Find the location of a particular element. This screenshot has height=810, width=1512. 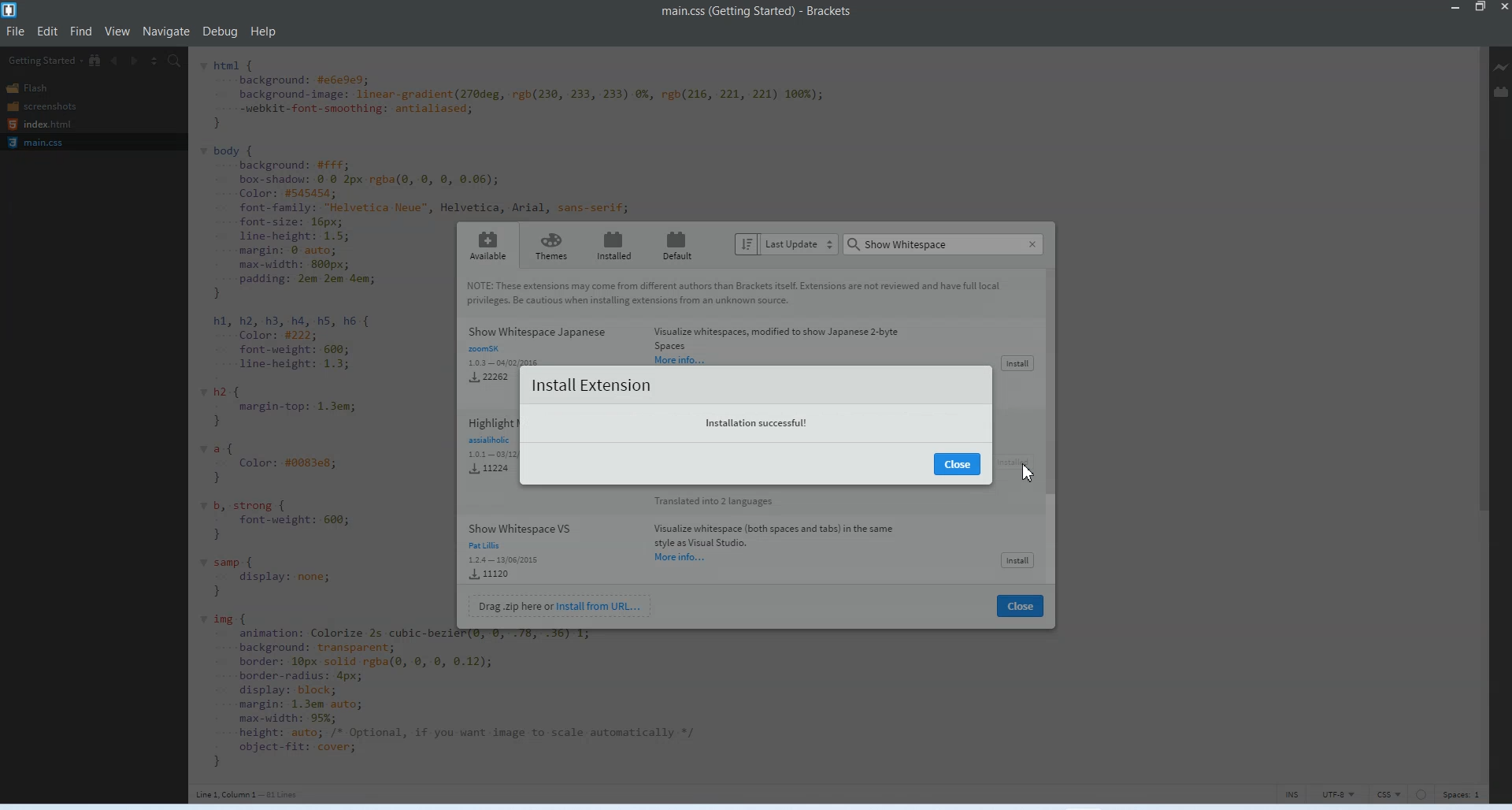

Text is located at coordinates (910, 243).